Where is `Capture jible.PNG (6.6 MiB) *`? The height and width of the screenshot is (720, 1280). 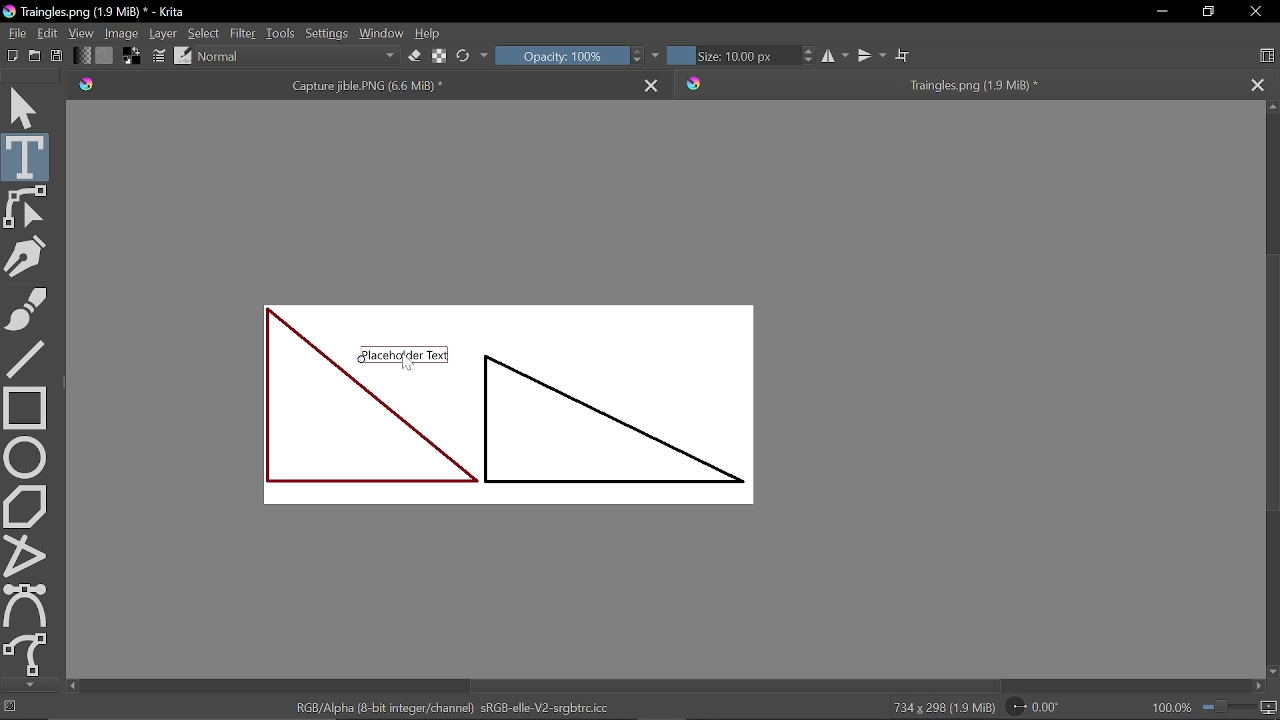 Capture jible.PNG (6.6 MiB) * is located at coordinates (349, 84).